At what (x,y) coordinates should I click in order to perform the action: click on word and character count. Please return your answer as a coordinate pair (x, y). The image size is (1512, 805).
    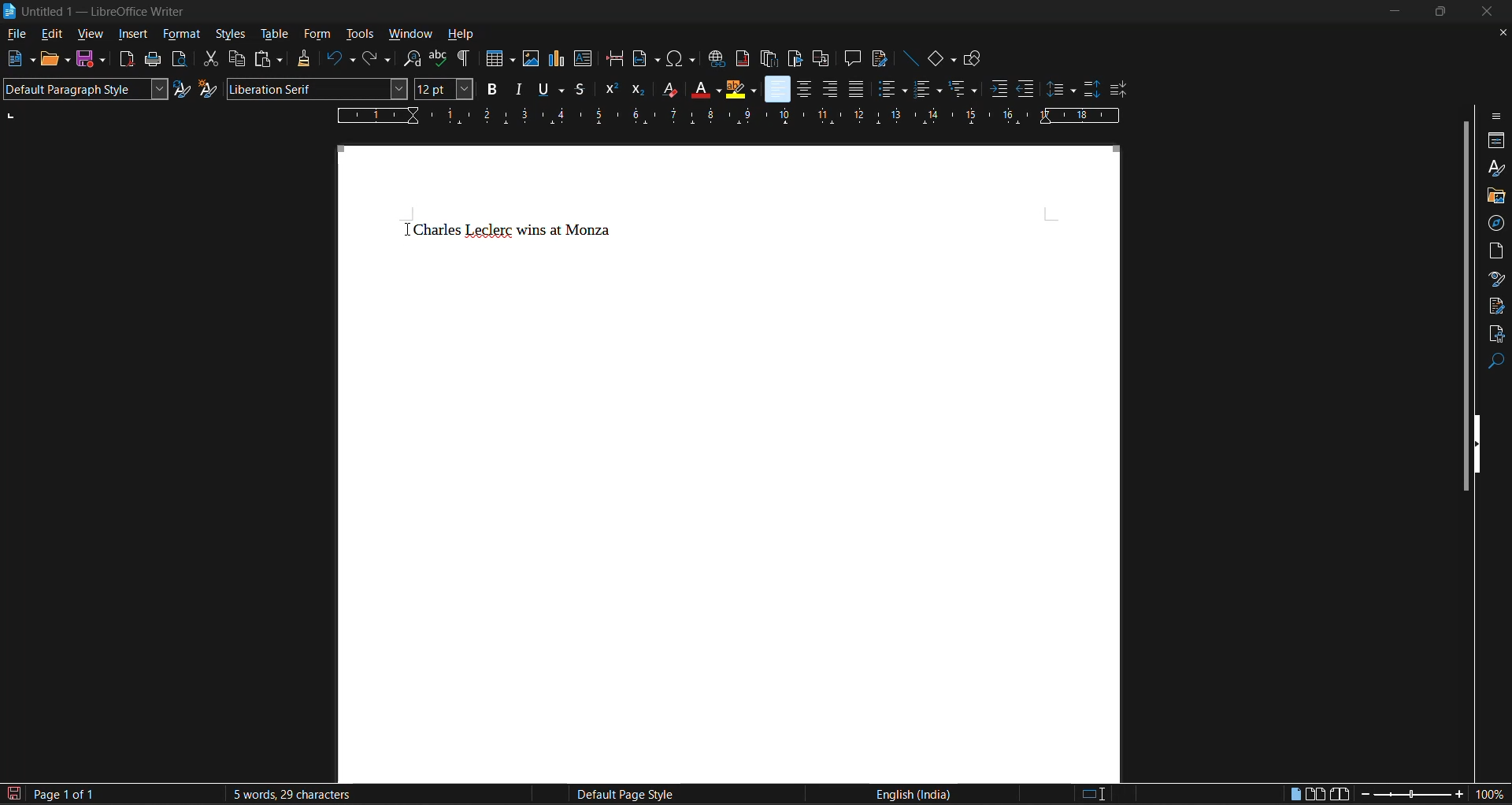
    Looking at the image, I should click on (290, 794).